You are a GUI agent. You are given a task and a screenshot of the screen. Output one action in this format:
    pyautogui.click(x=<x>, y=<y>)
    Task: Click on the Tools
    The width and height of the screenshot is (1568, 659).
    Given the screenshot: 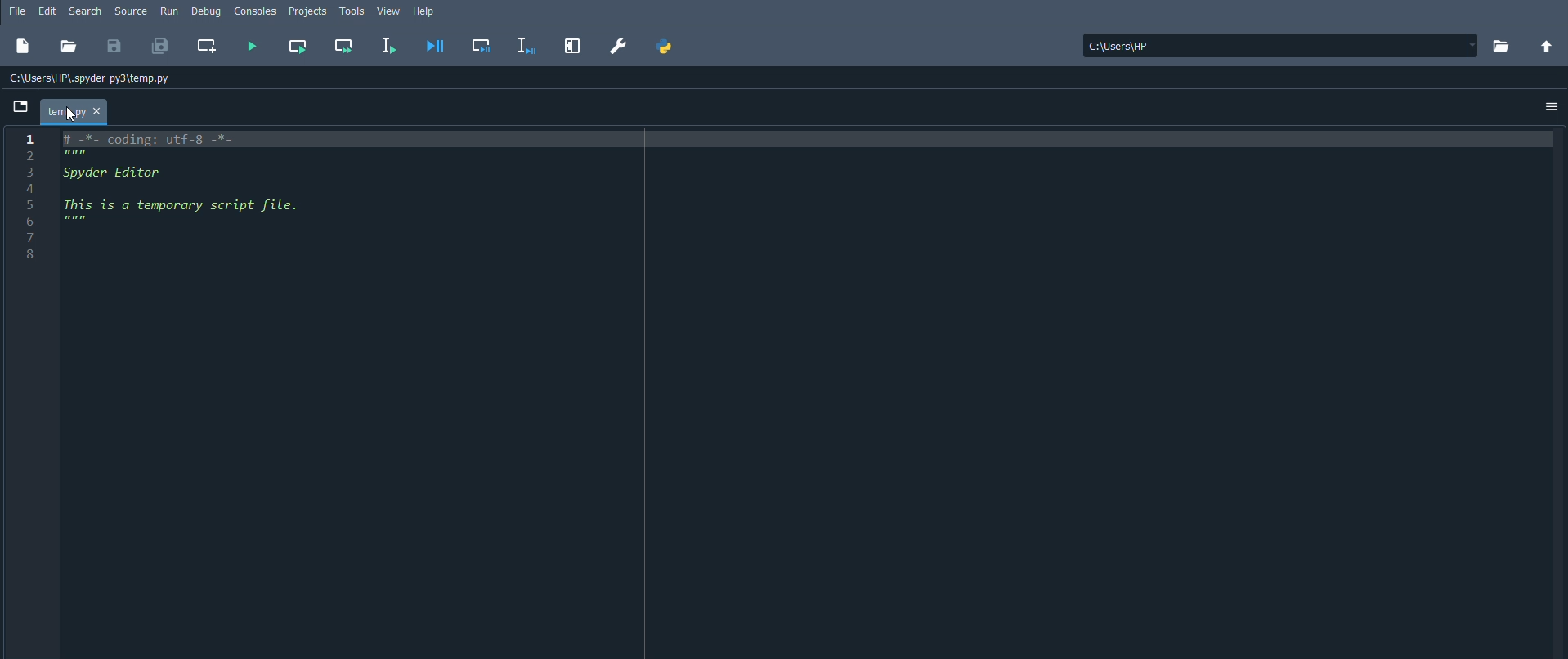 What is the action you would take?
    pyautogui.click(x=351, y=11)
    